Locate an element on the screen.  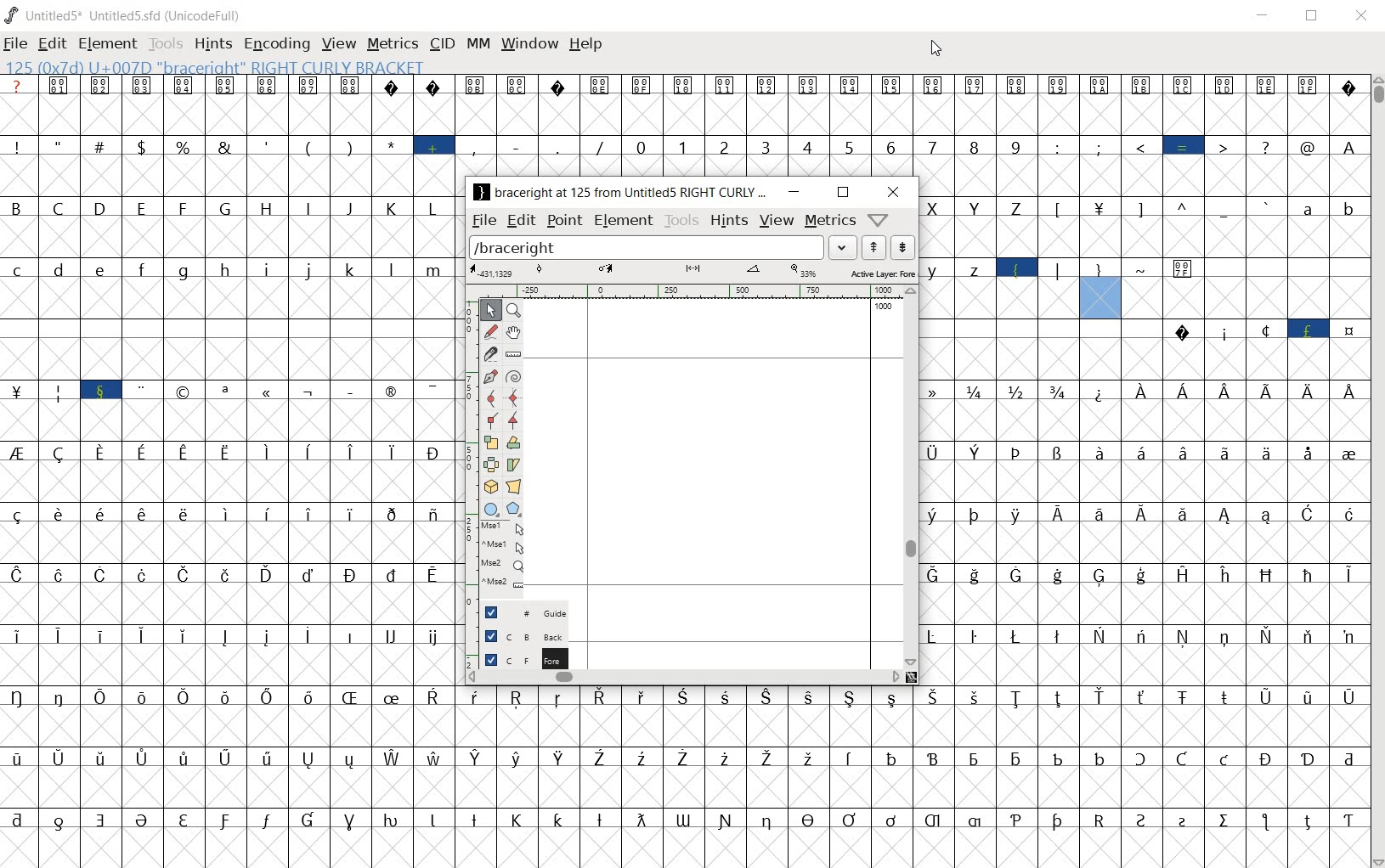
CLOSE is located at coordinates (1359, 15).